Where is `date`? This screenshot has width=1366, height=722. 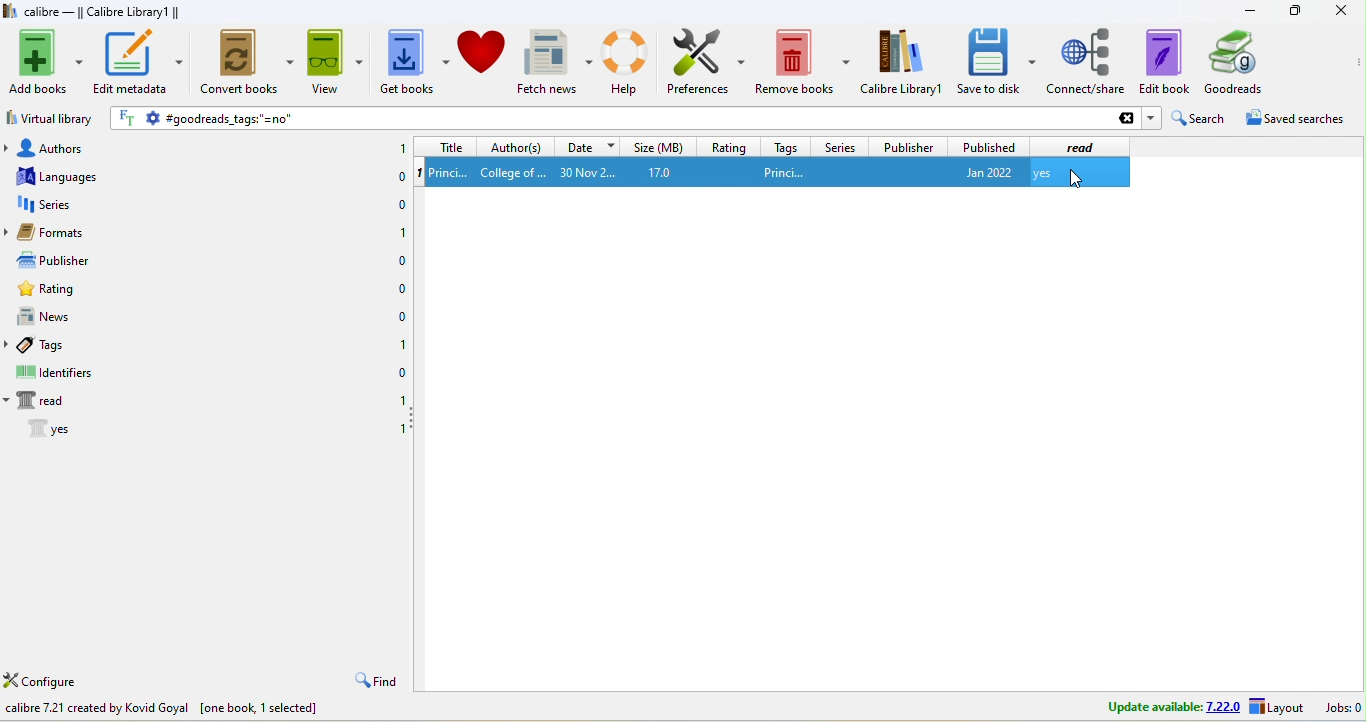 date is located at coordinates (586, 147).